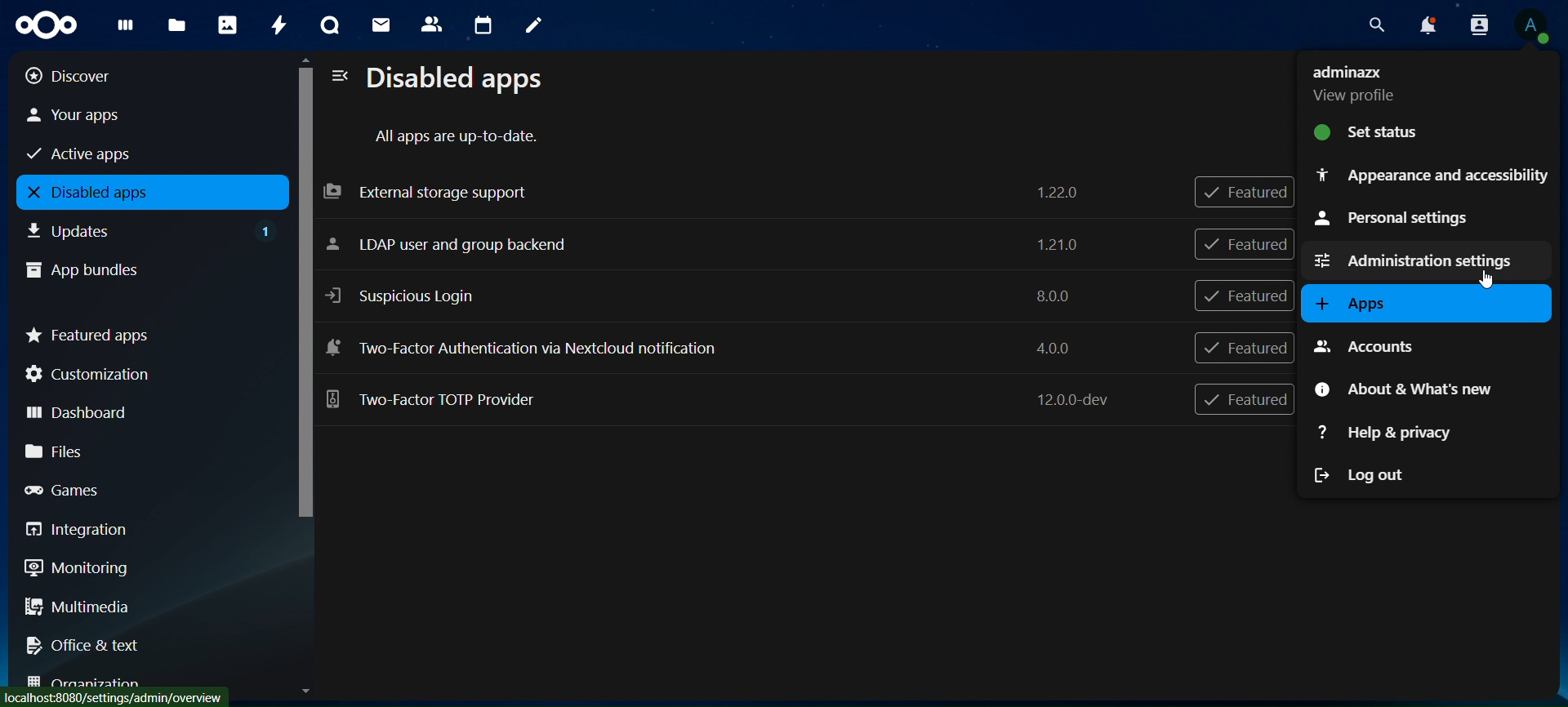 The width and height of the screenshot is (1568, 707). I want to click on dashboard, so click(122, 29).